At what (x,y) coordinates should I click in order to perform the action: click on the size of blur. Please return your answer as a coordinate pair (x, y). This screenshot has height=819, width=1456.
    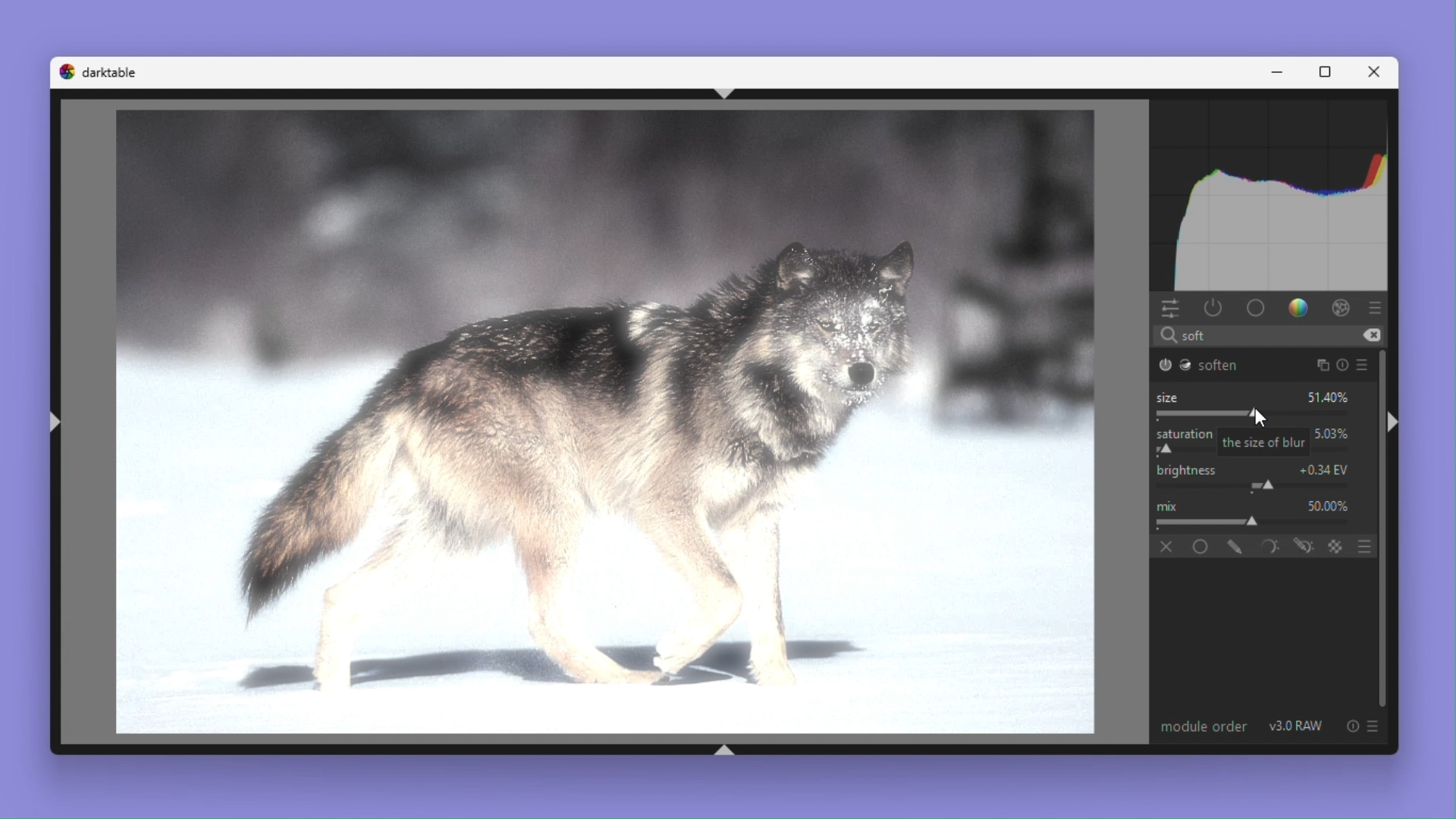
    Looking at the image, I should click on (1263, 443).